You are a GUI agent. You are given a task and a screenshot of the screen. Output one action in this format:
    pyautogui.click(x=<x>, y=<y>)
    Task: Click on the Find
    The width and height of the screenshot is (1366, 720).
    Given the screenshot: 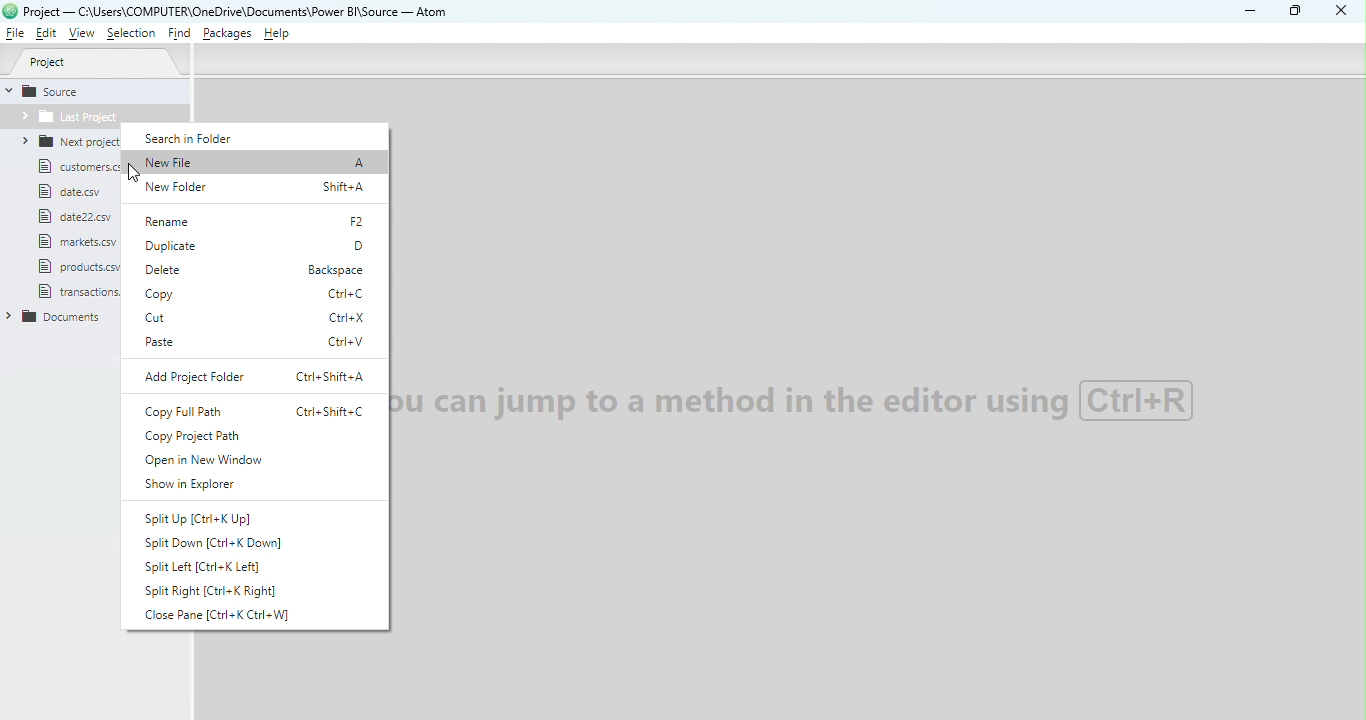 What is the action you would take?
    pyautogui.click(x=179, y=35)
    